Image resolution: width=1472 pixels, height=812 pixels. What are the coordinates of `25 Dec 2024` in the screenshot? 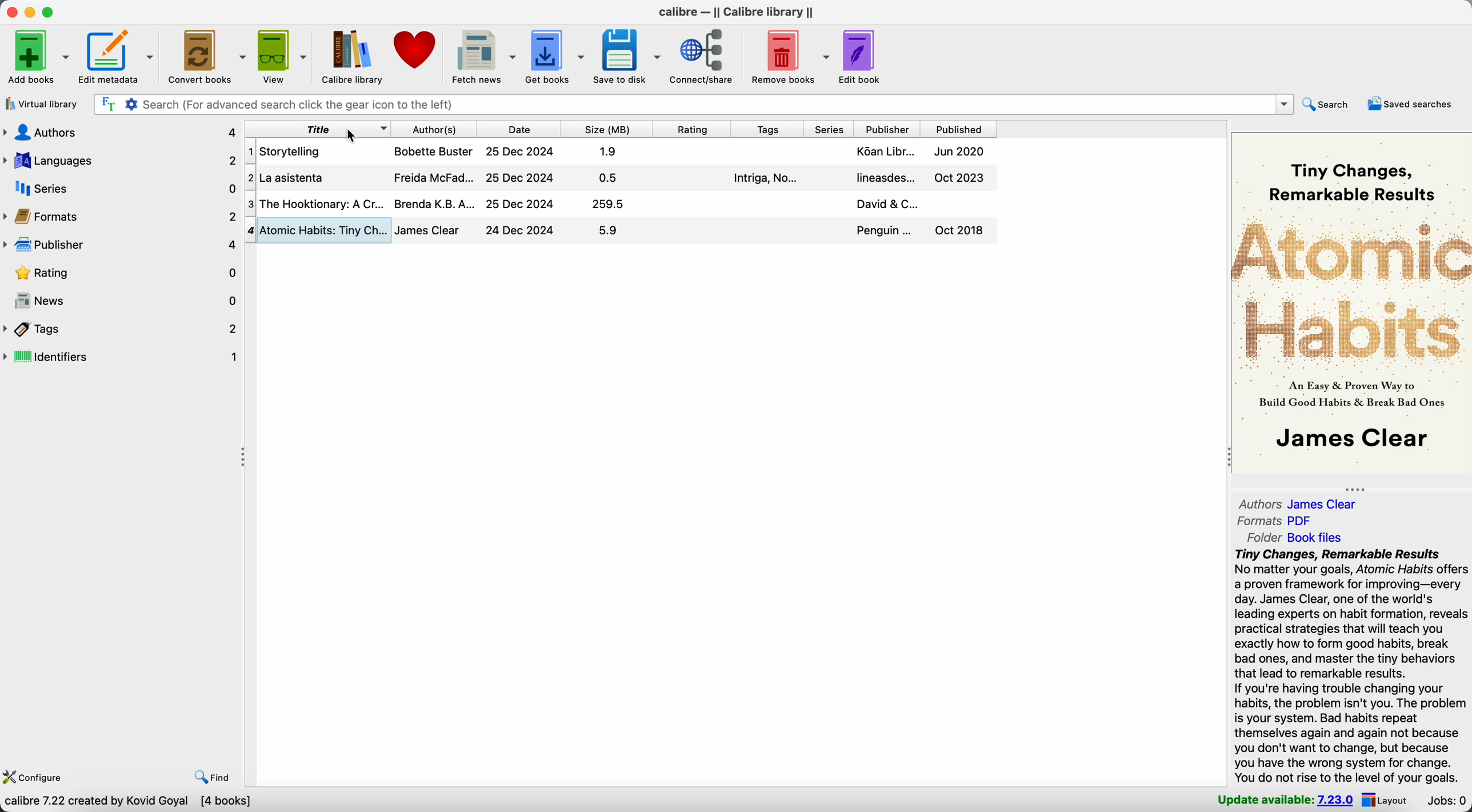 It's located at (521, 178).